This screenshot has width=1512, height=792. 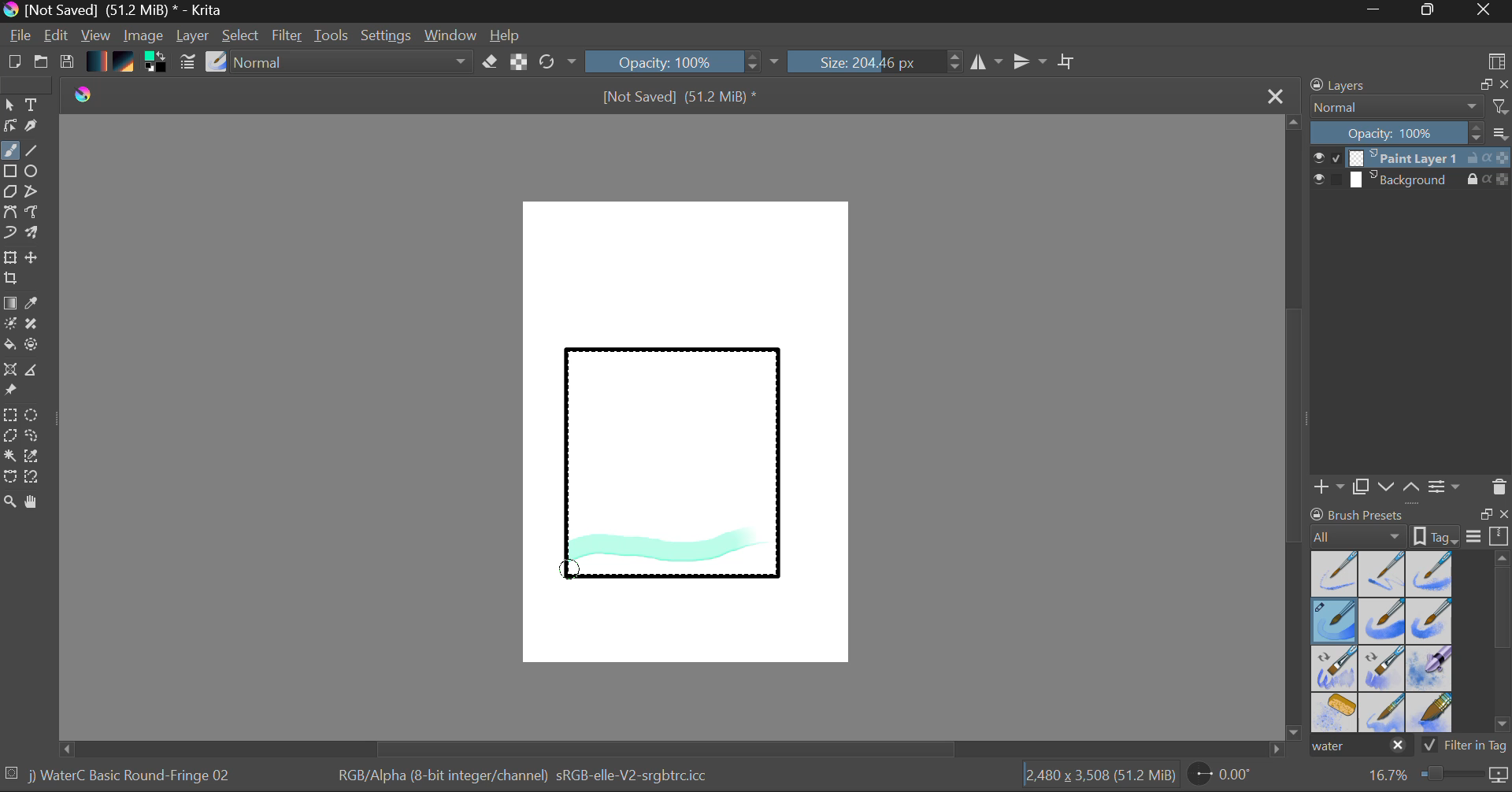 I want to click on Water C - Special Splats, so click(x=1336, y=712).